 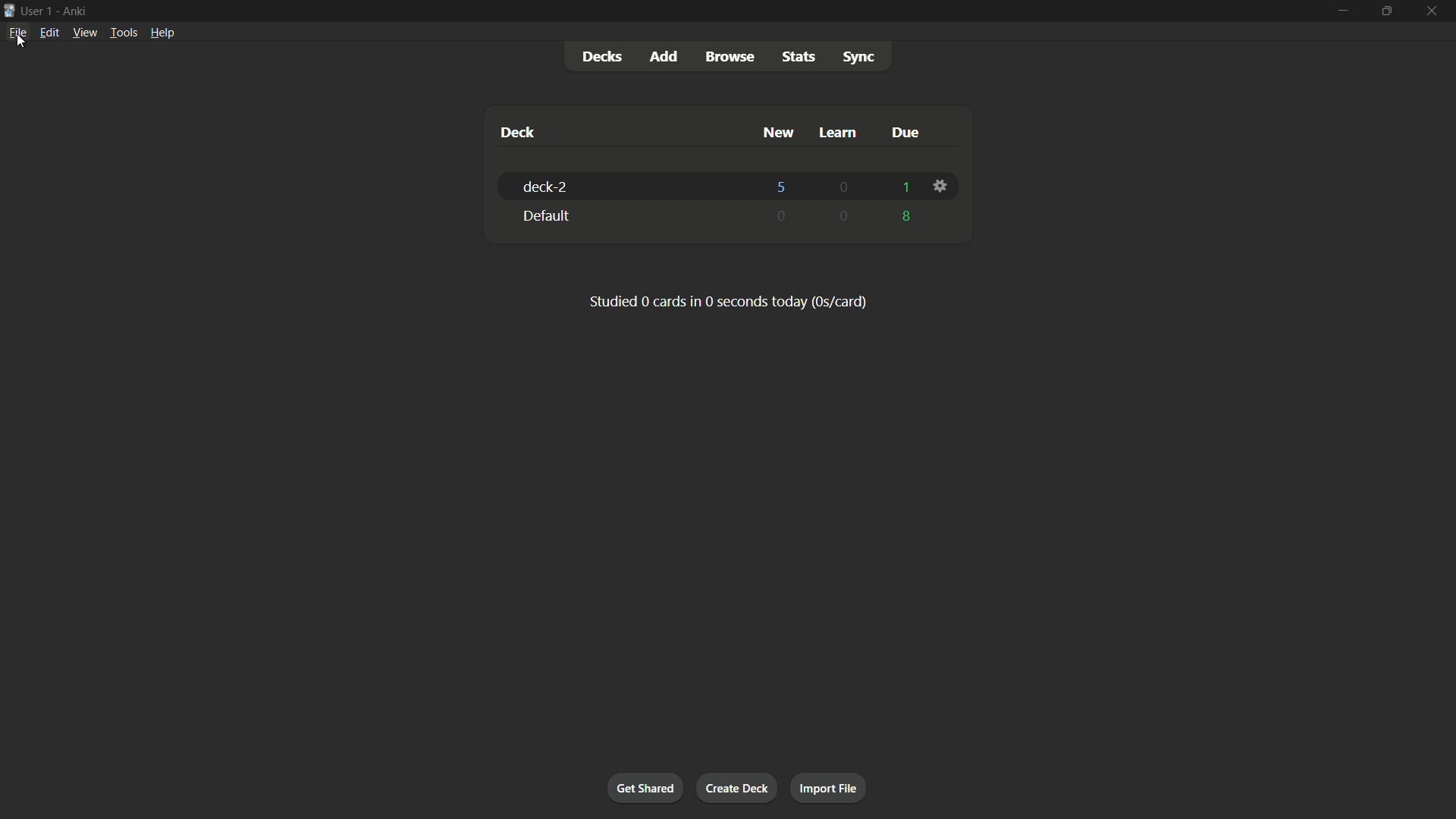 What do you see at coordinates (518, 132) in the screenshot?
I see `deck` at bounding box center [518, 132].